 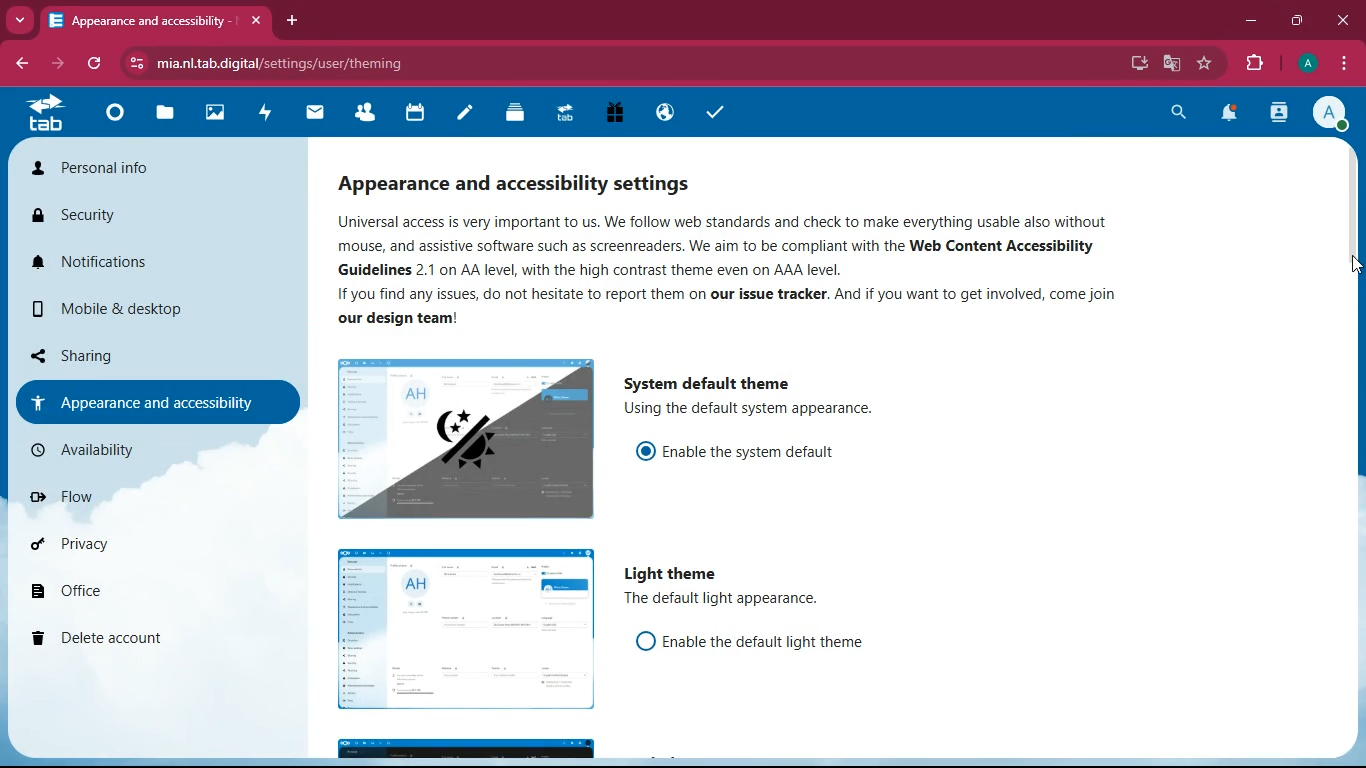 I want to click on enable, so click(x=766, y=638).